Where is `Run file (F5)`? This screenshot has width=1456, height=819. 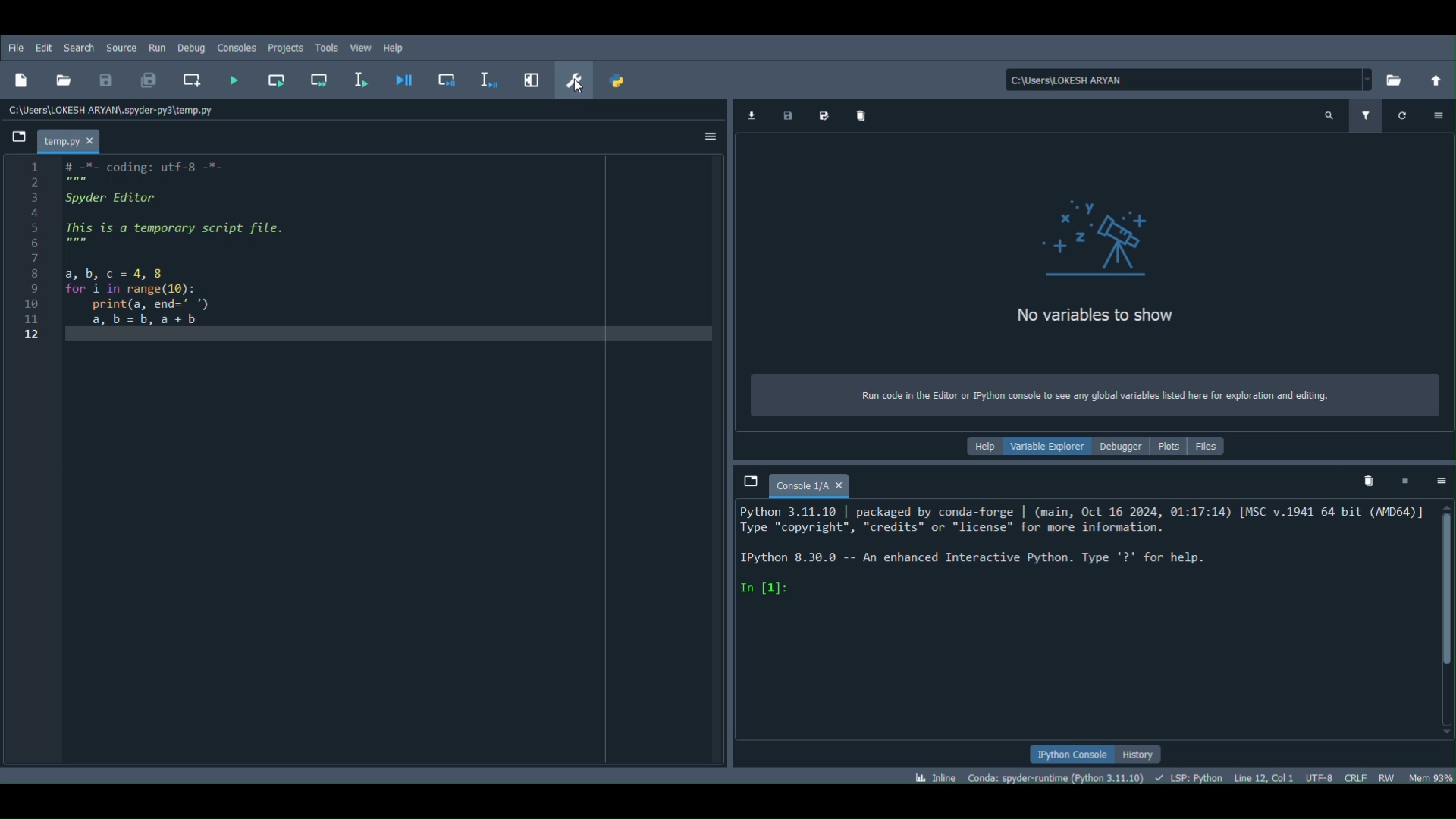 Run file (F5) is located at coordinates (236, 80).